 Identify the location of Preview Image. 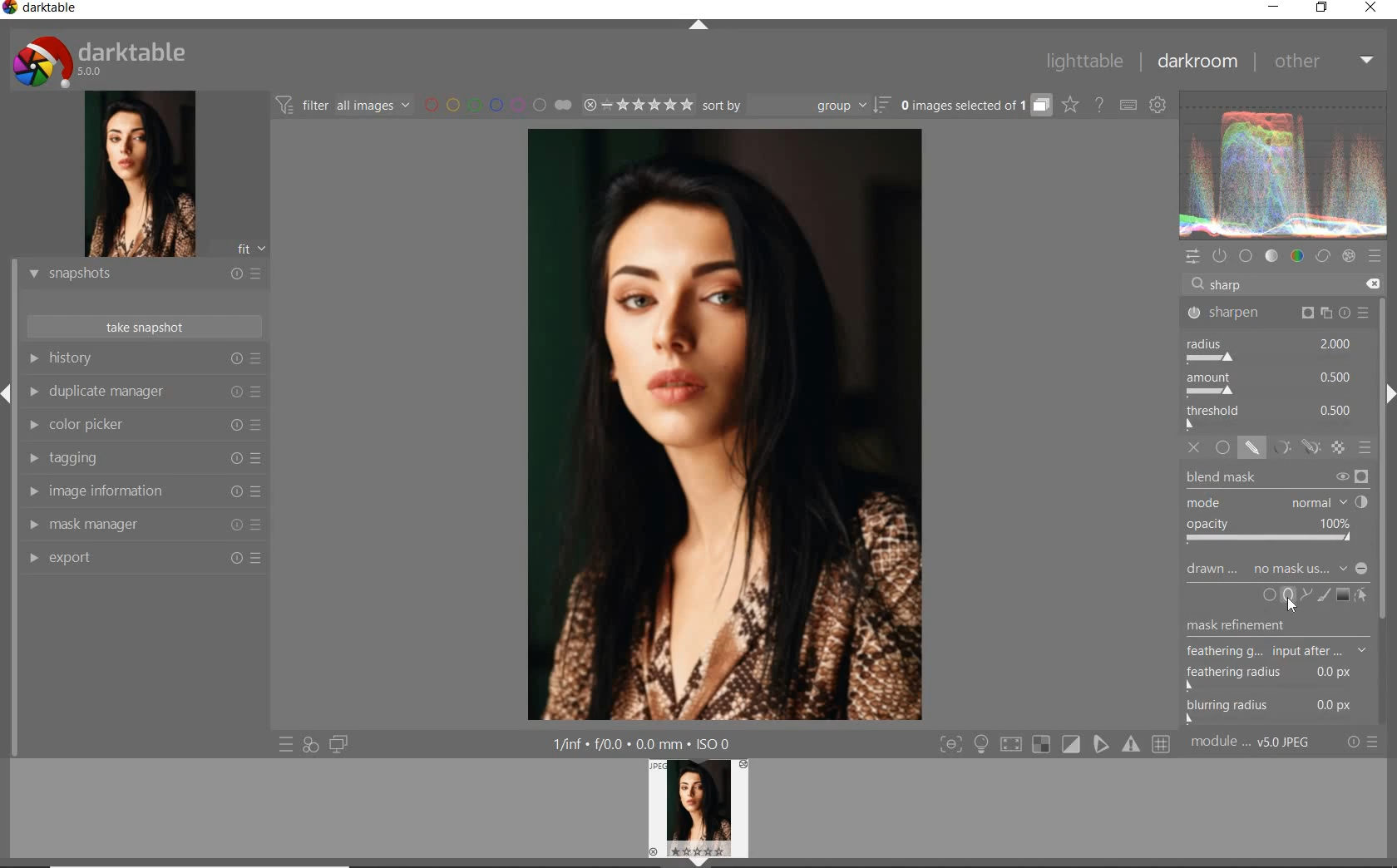
(698, 808).